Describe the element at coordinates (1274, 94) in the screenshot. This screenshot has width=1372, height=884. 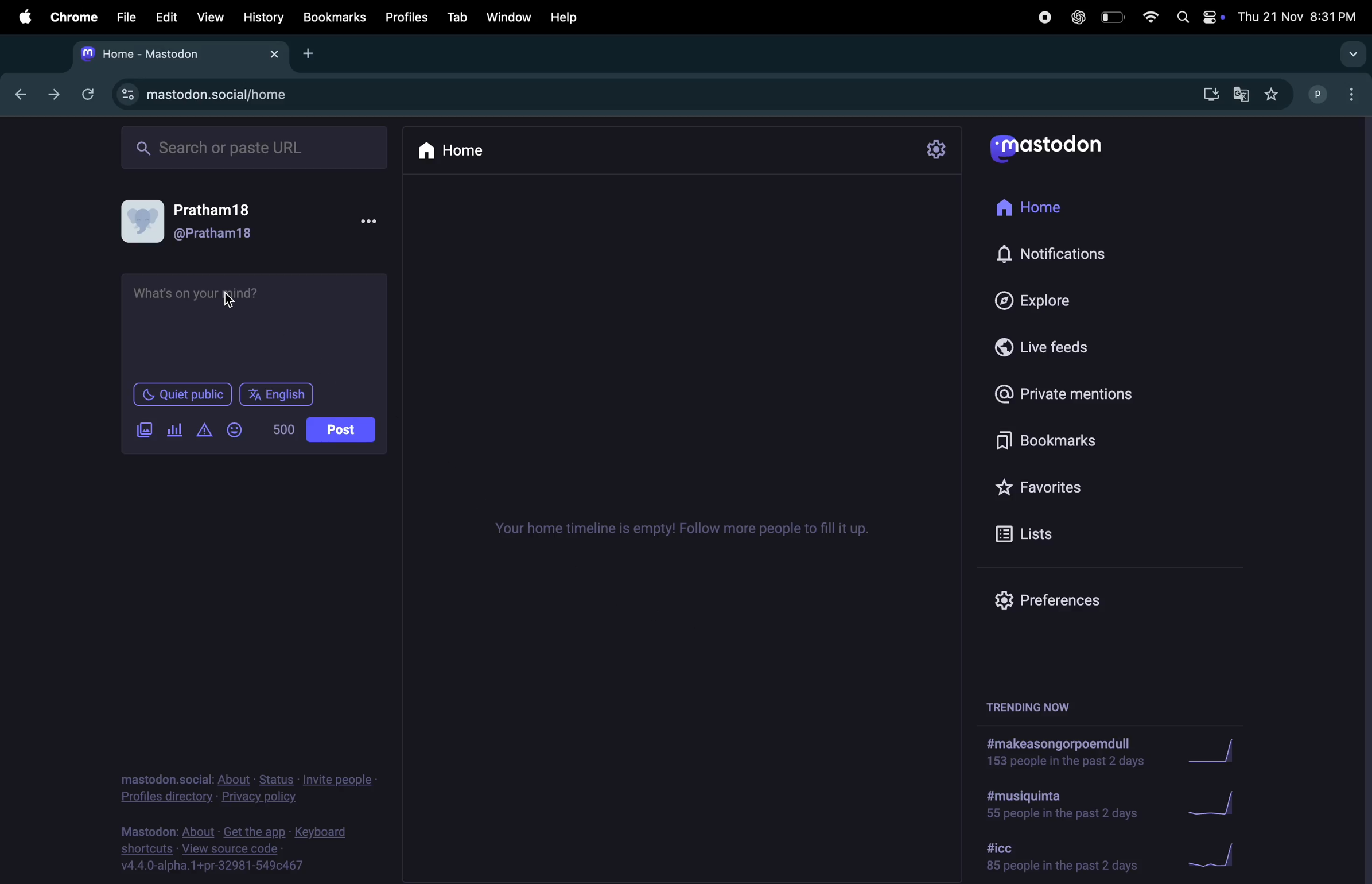
I see `favourites` at that location.